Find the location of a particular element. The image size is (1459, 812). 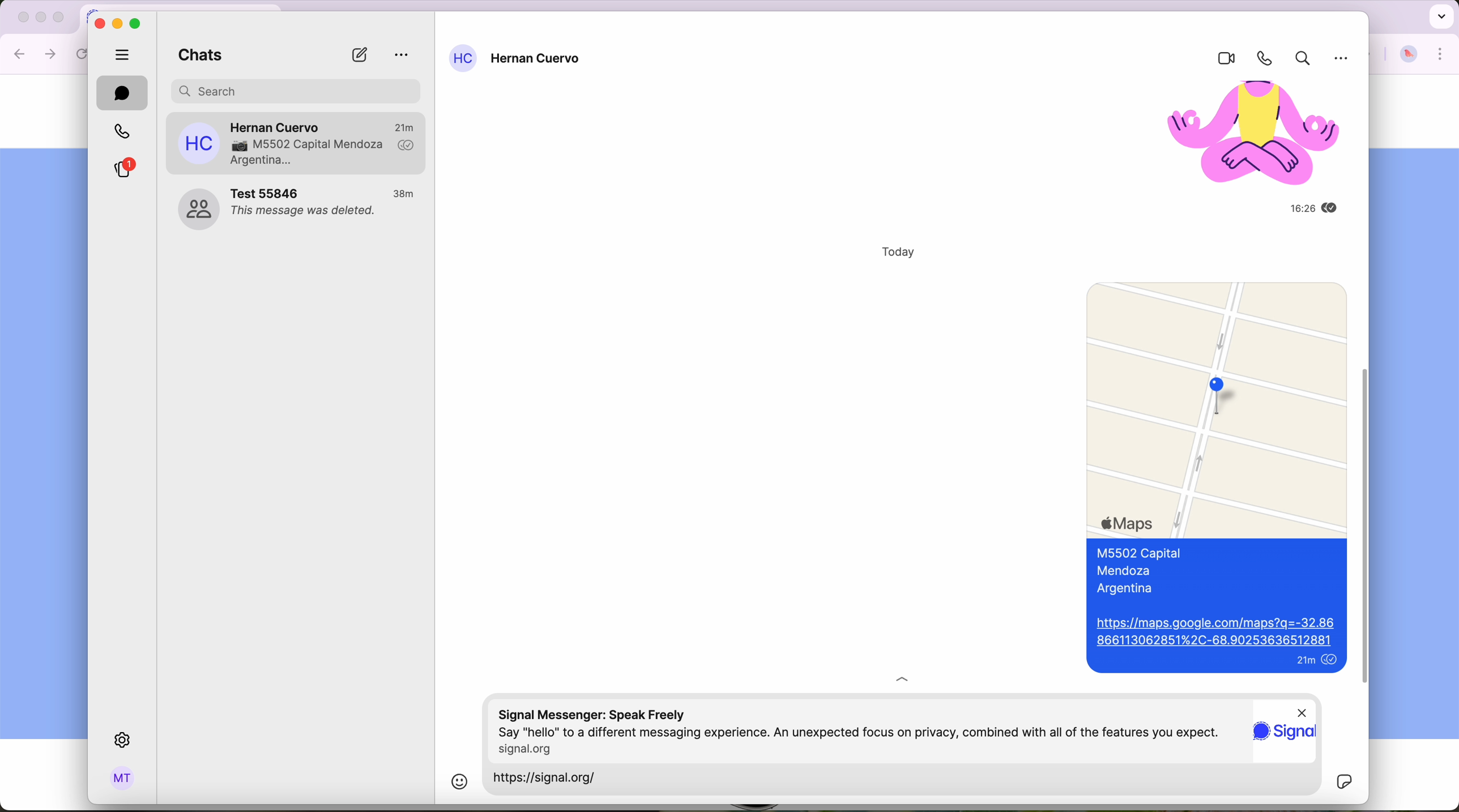

Argentina... is located at coordinates (262, 161).